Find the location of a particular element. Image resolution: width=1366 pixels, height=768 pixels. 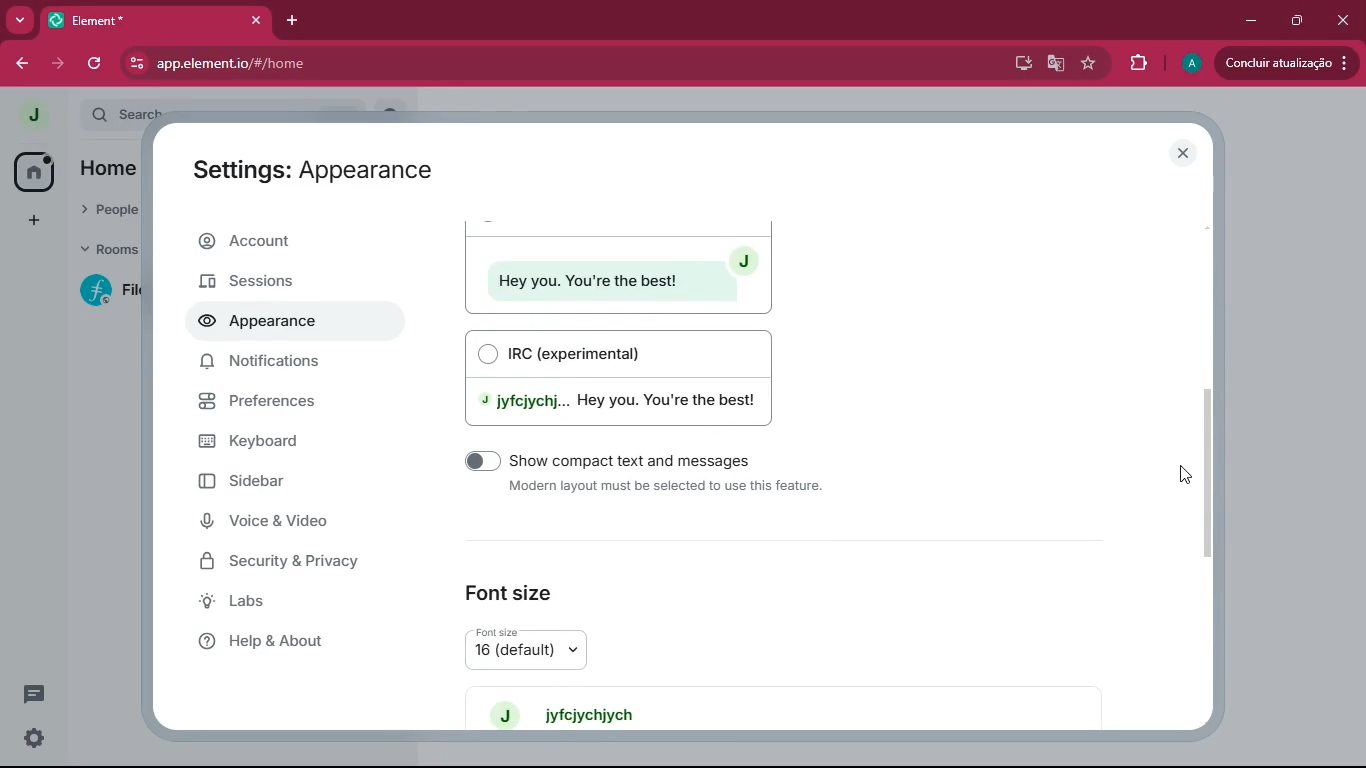

preferences is located at coordinates (291, 404).